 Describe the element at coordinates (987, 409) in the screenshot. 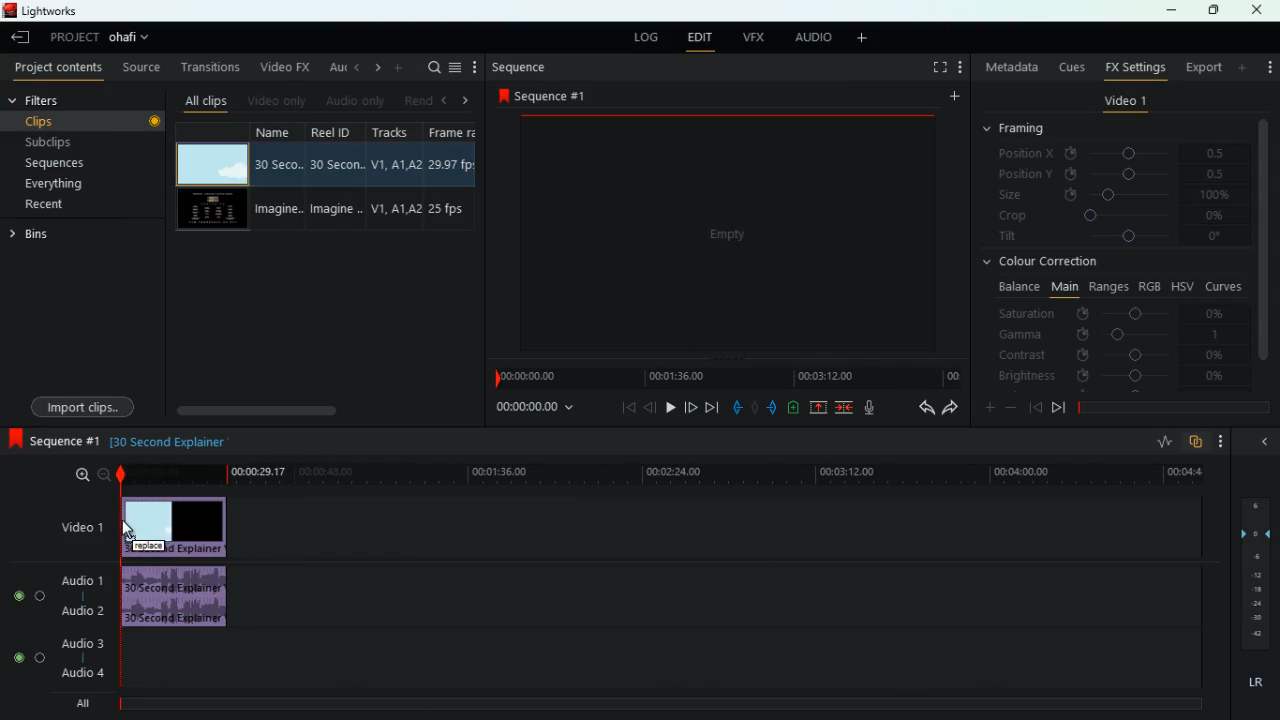

I see `plus` at that location.